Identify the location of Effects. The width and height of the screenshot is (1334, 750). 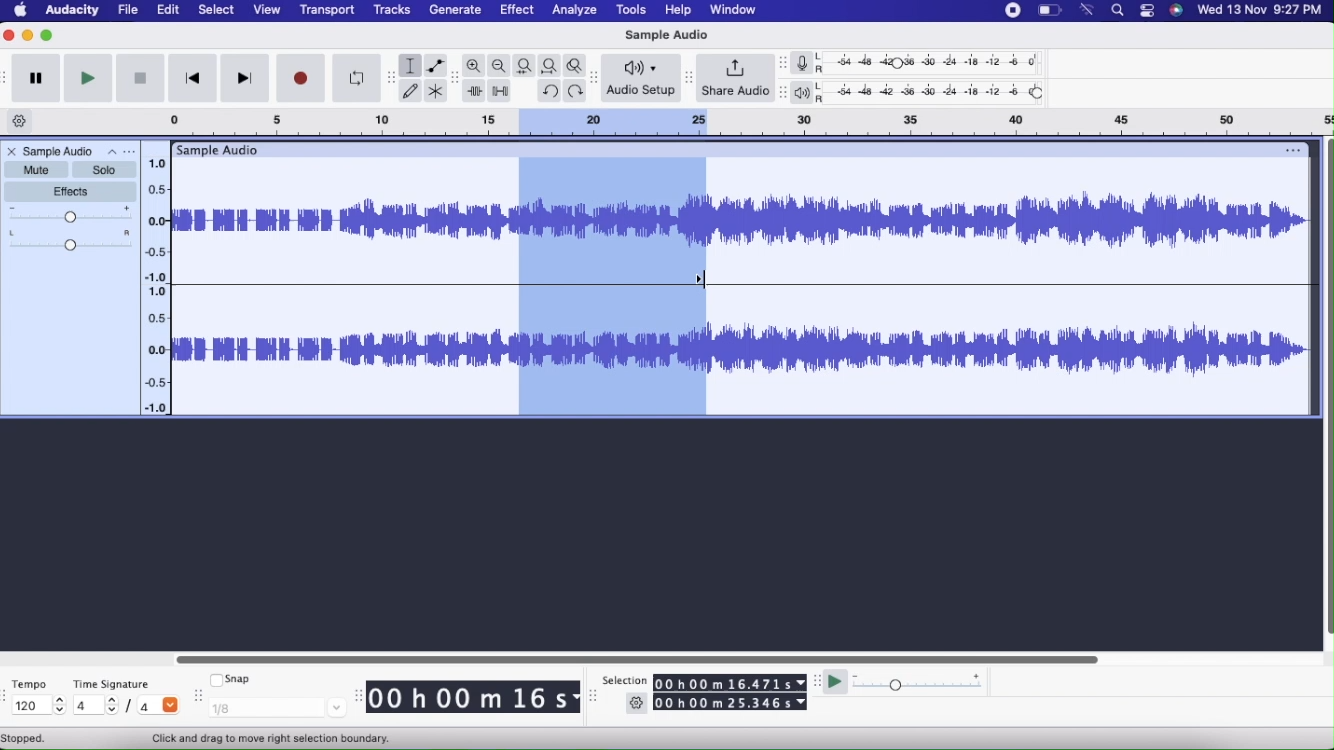
(73, 192).